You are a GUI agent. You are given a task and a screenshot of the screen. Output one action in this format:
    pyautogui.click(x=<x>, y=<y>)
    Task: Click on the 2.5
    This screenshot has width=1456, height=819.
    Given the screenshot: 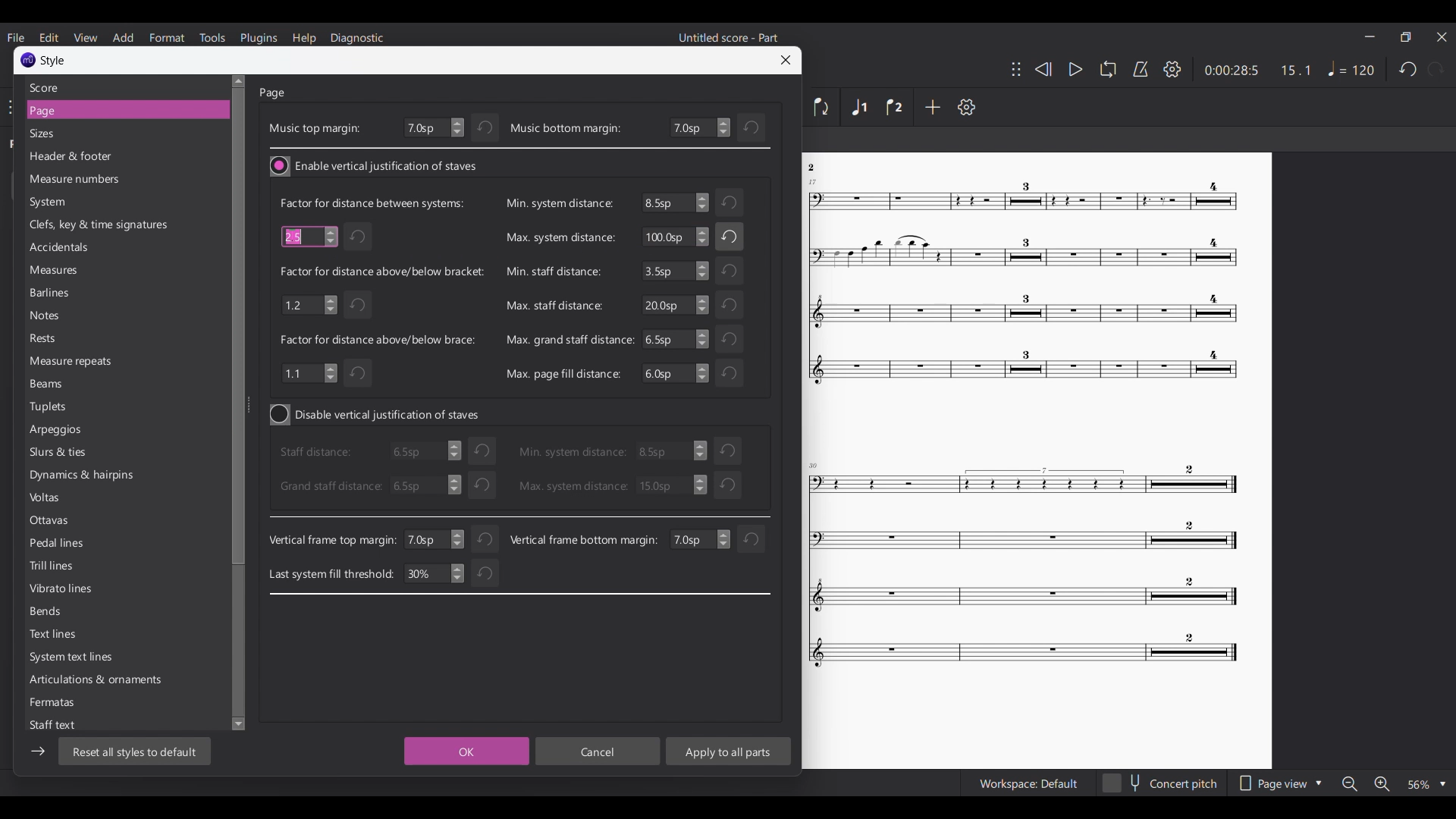 What is the action you would take?
    pyautogui.click(x=308, y=235)
    